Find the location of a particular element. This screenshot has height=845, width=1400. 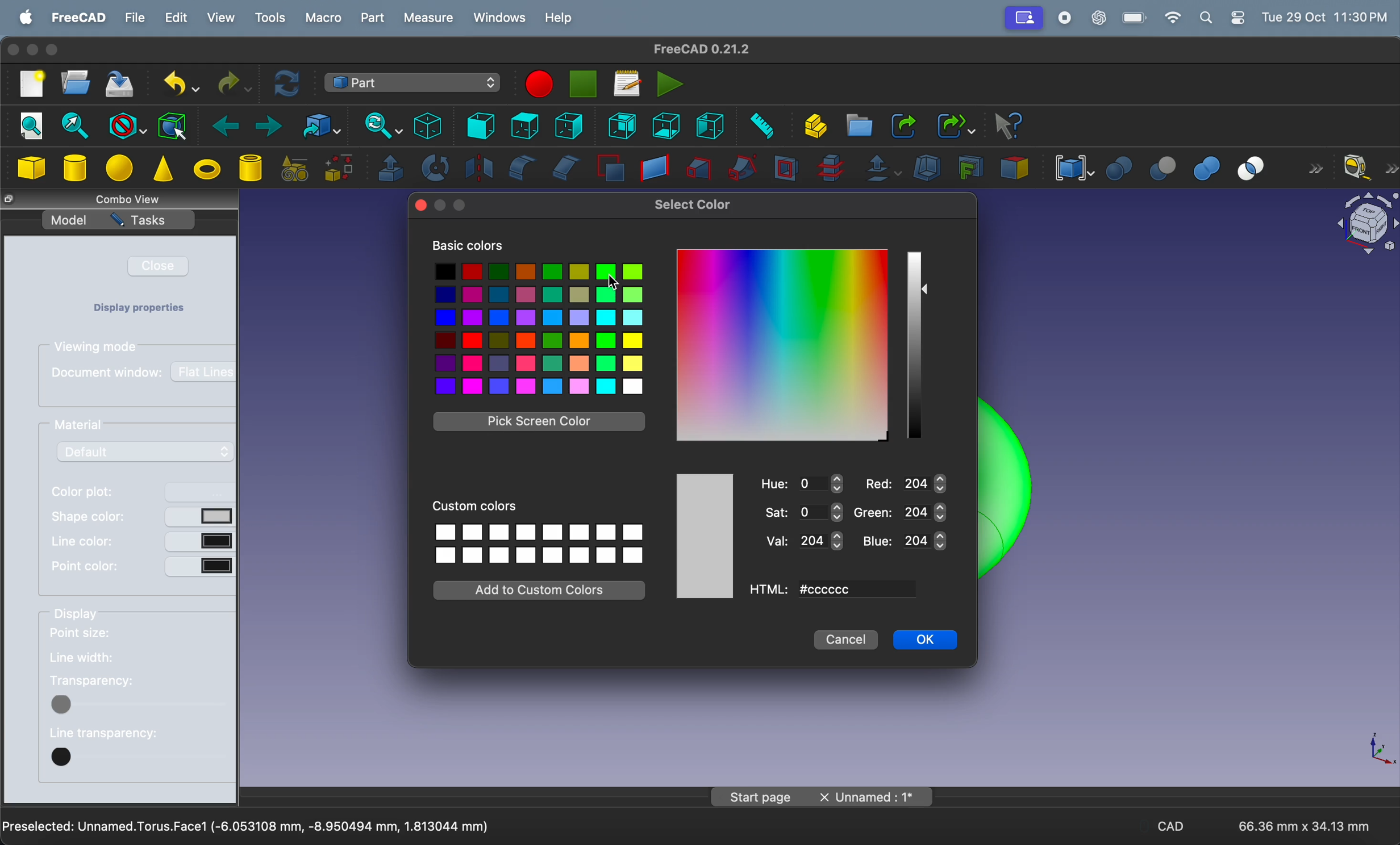

view is located at coordinates (220, 18).